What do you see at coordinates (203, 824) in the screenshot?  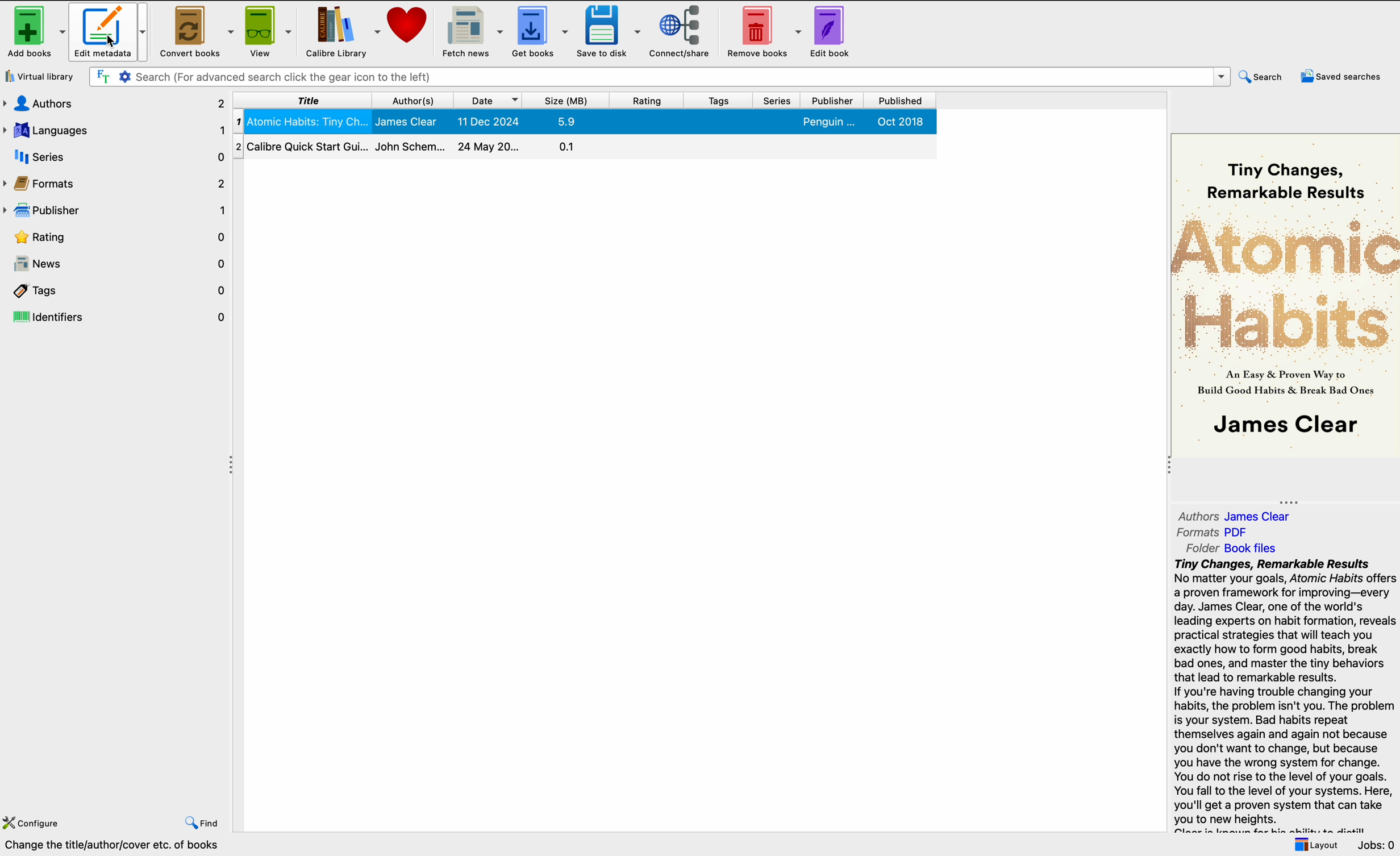 I see `find` at bounding box center [203, 824].